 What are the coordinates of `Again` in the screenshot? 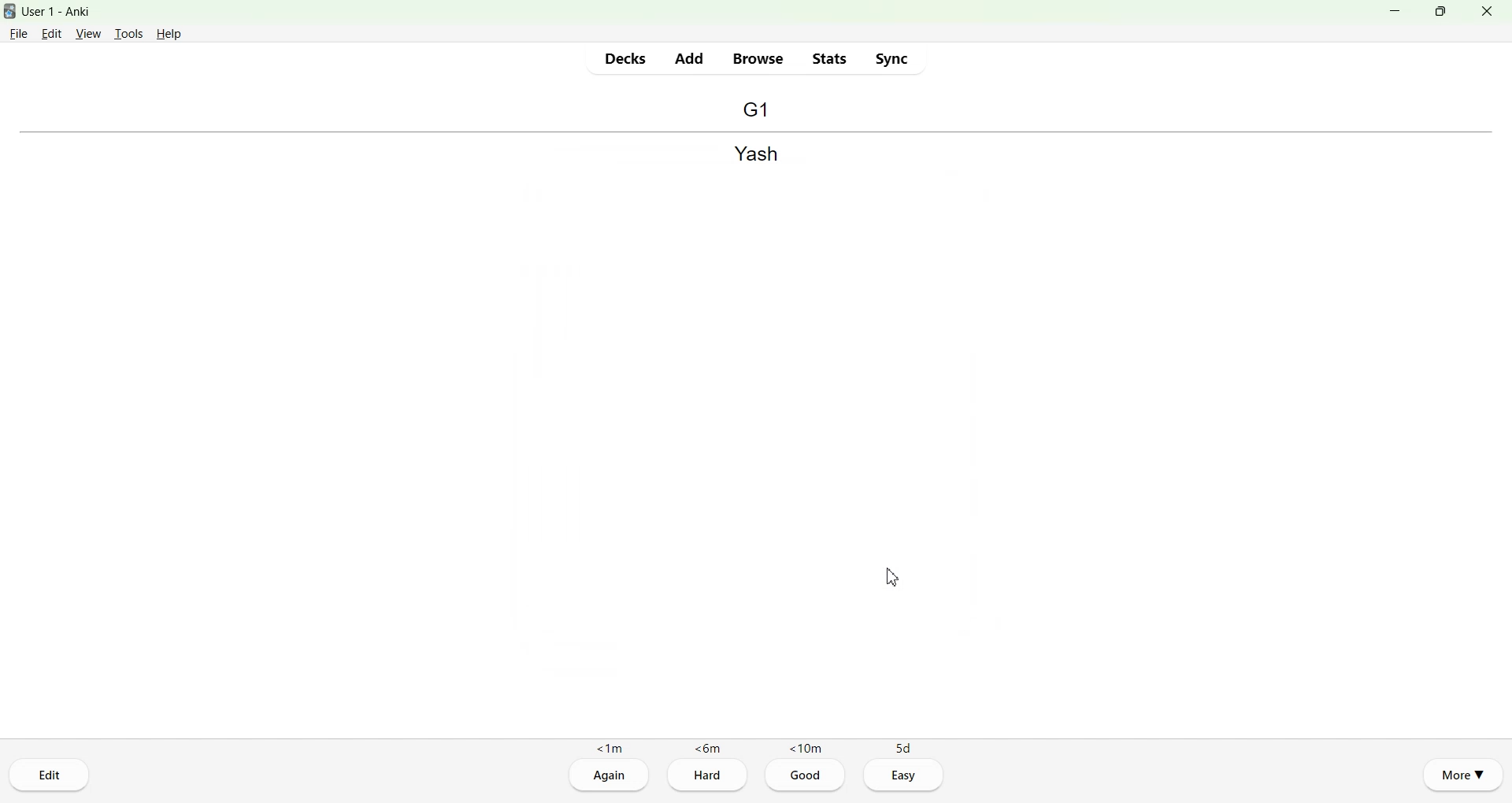 It's located at (609, 776).